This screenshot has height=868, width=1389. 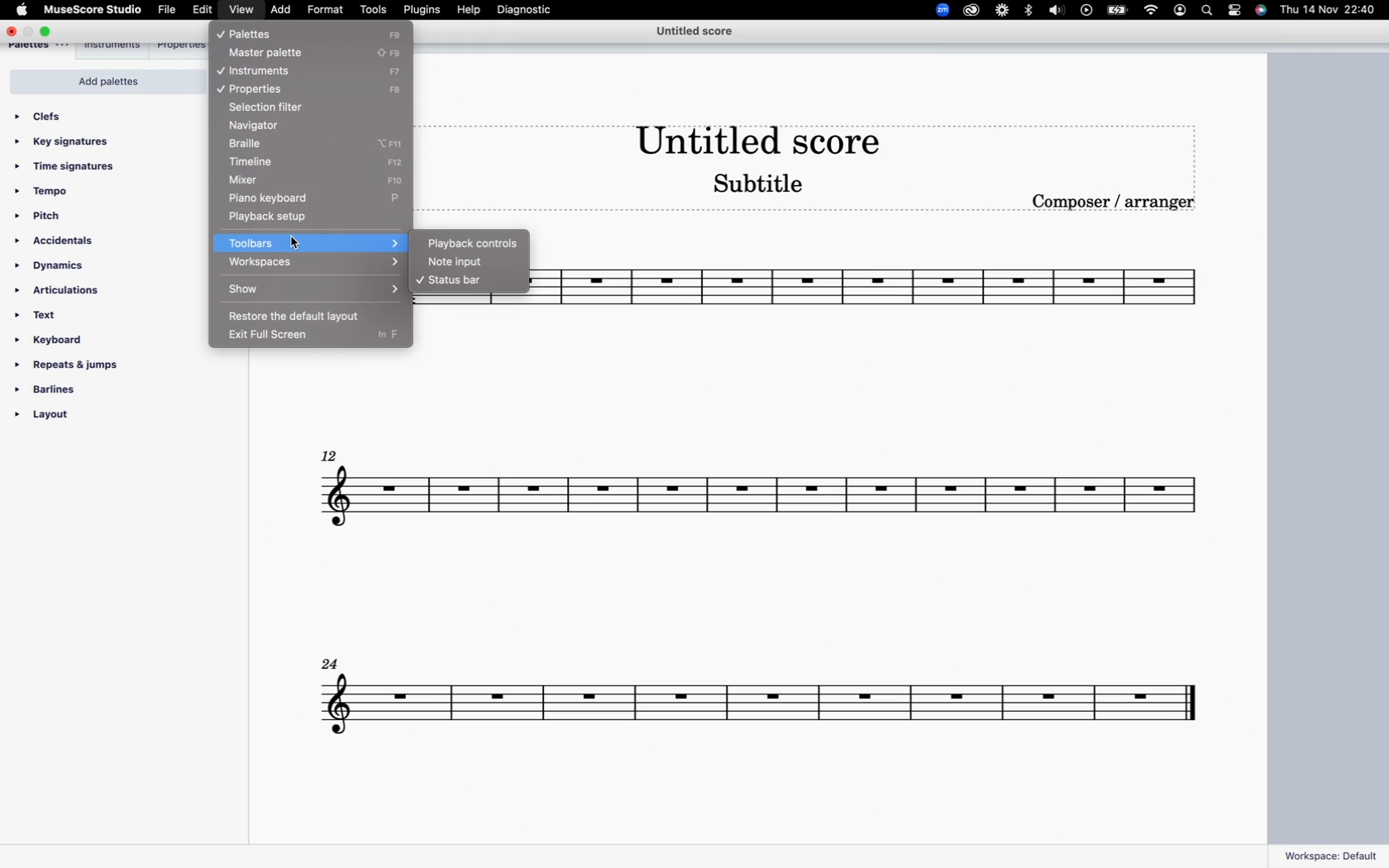 What do you see at coordinates (68, 265) in the screenshot?
I see `dynamics` at bounding box center [68, 265].